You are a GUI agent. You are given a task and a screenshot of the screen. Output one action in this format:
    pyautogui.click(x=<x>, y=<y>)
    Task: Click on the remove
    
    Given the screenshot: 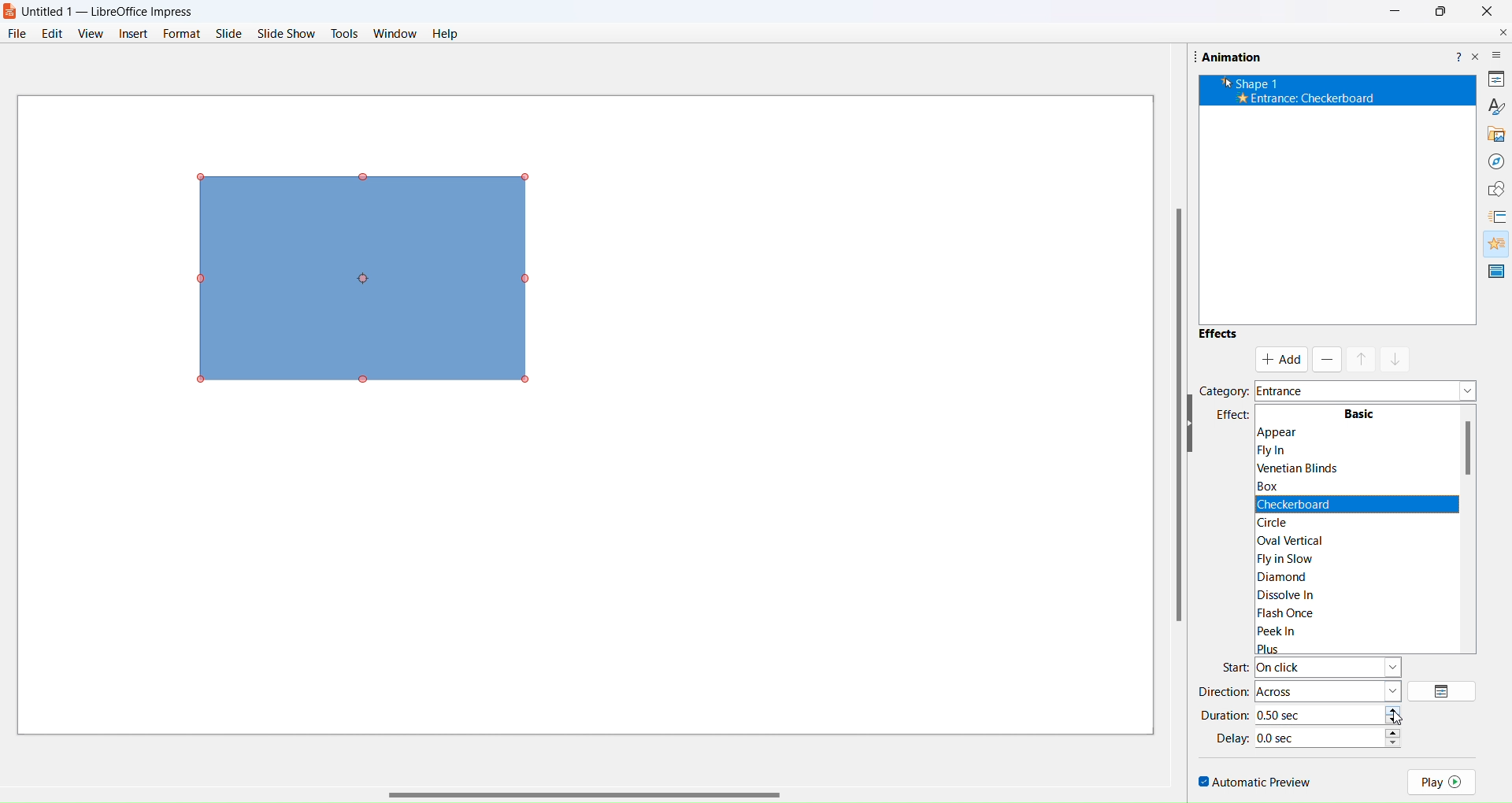 What is the action you would take?
    pyautogui.click(x=1326, y=361)
    